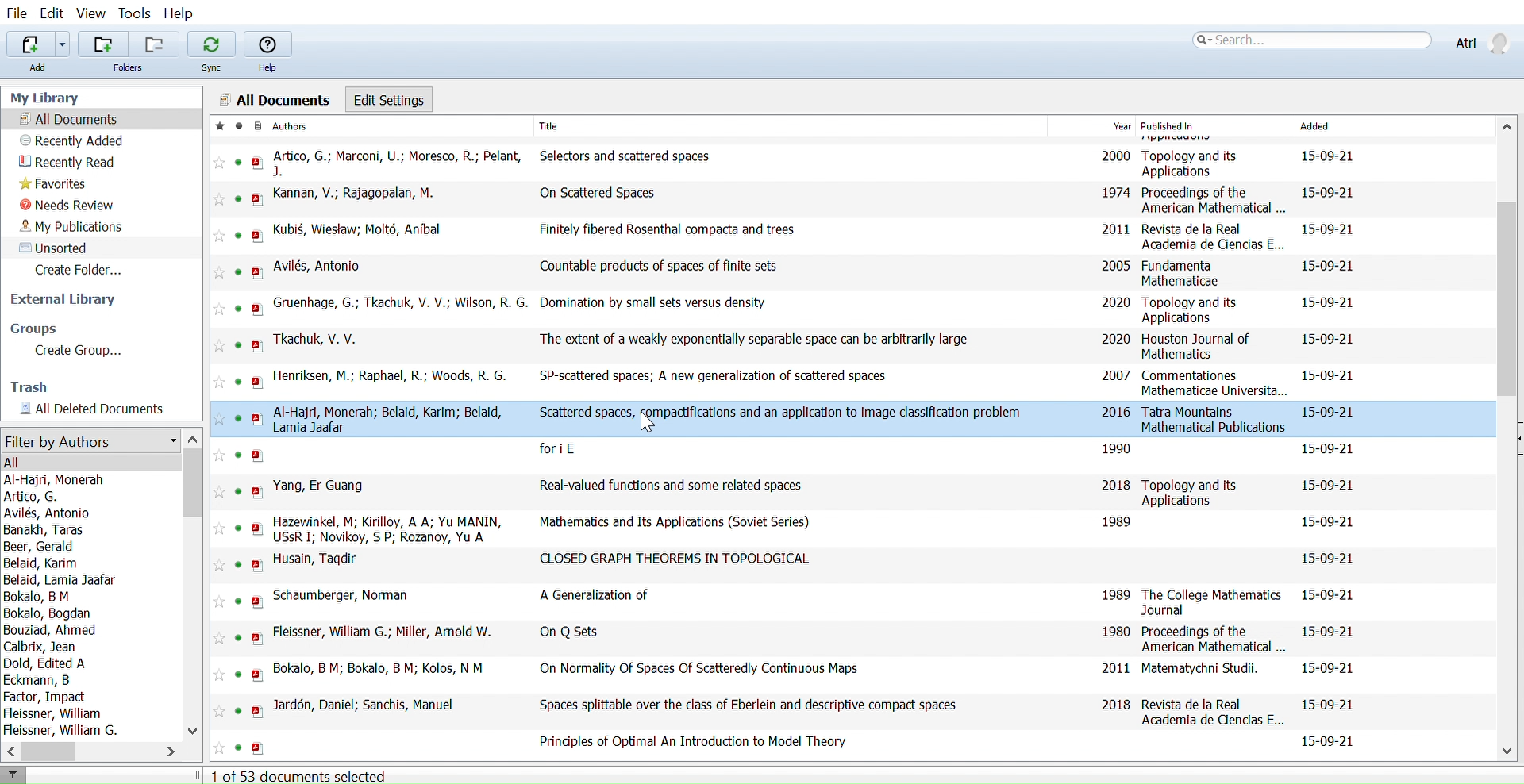  What do you see at coordinates (1211, 602) in the screenshot?
I see `The College Mathematics Journal` at bounding box center [1211, 602].